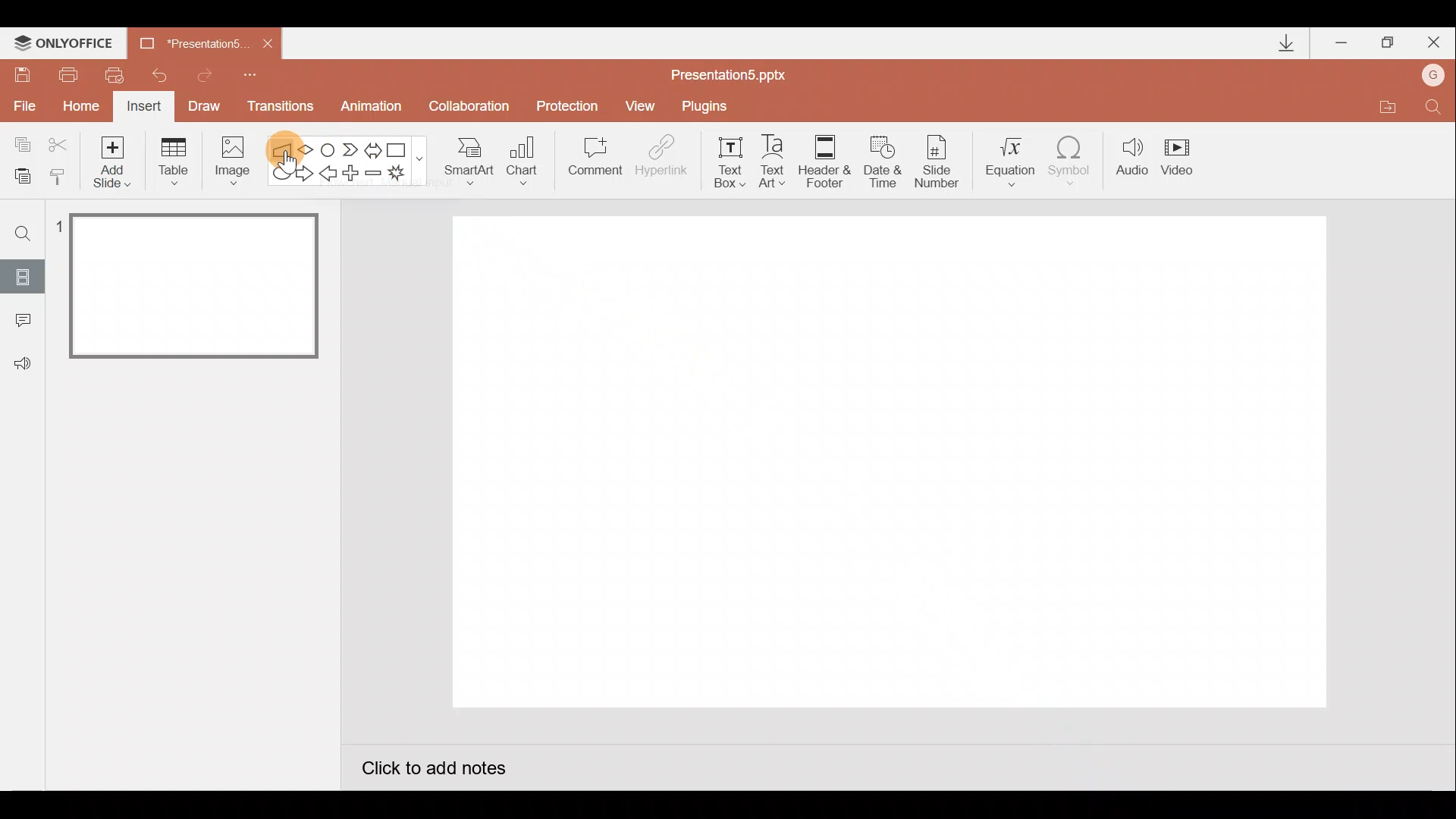 This screenshot has height=819, width=1456. Describe the element at coordinates (891, 453) in the screenshot. I see `Presentation slide` at that location.